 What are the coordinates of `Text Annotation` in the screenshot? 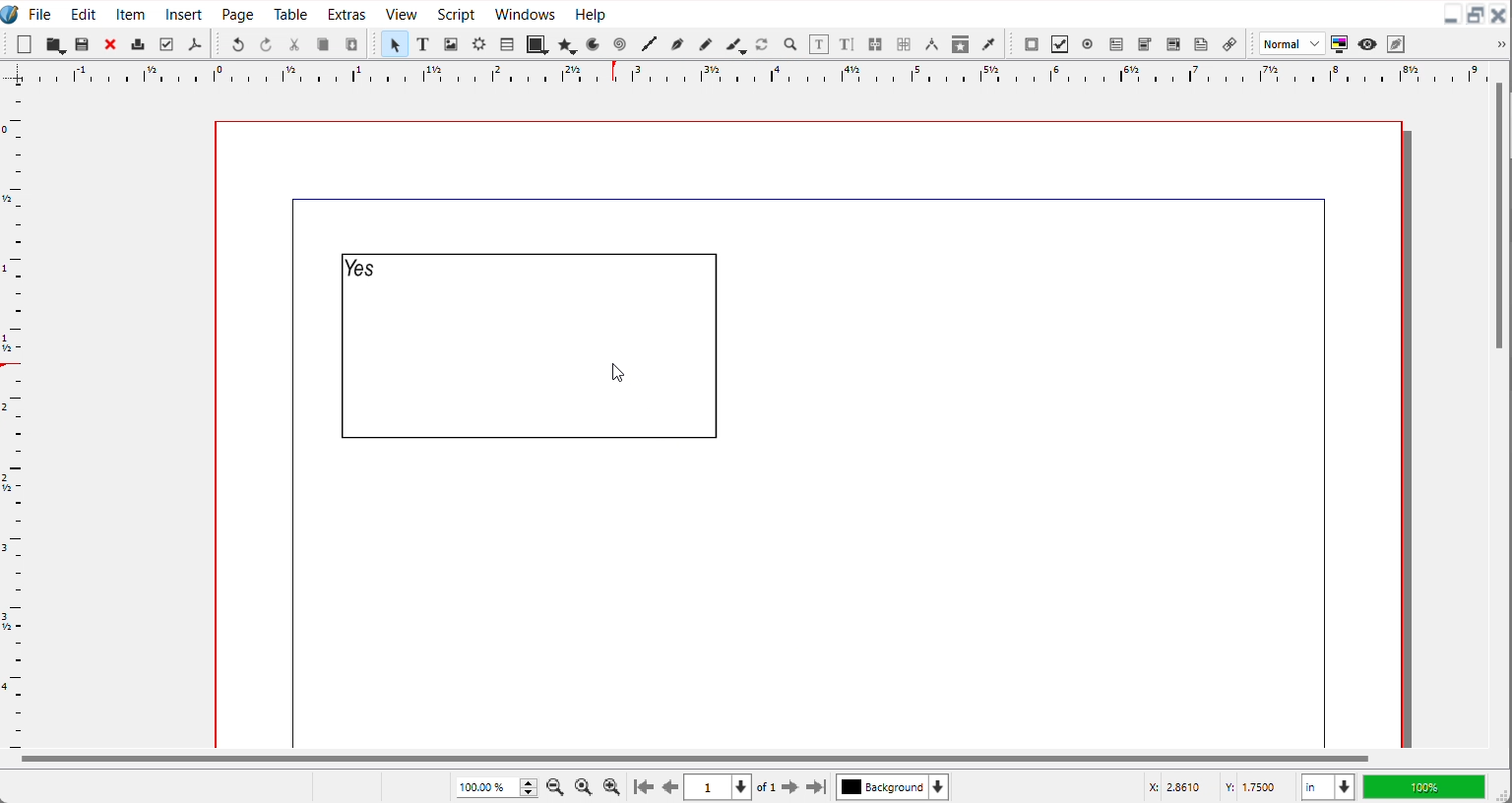 It's located at (1201, 44).